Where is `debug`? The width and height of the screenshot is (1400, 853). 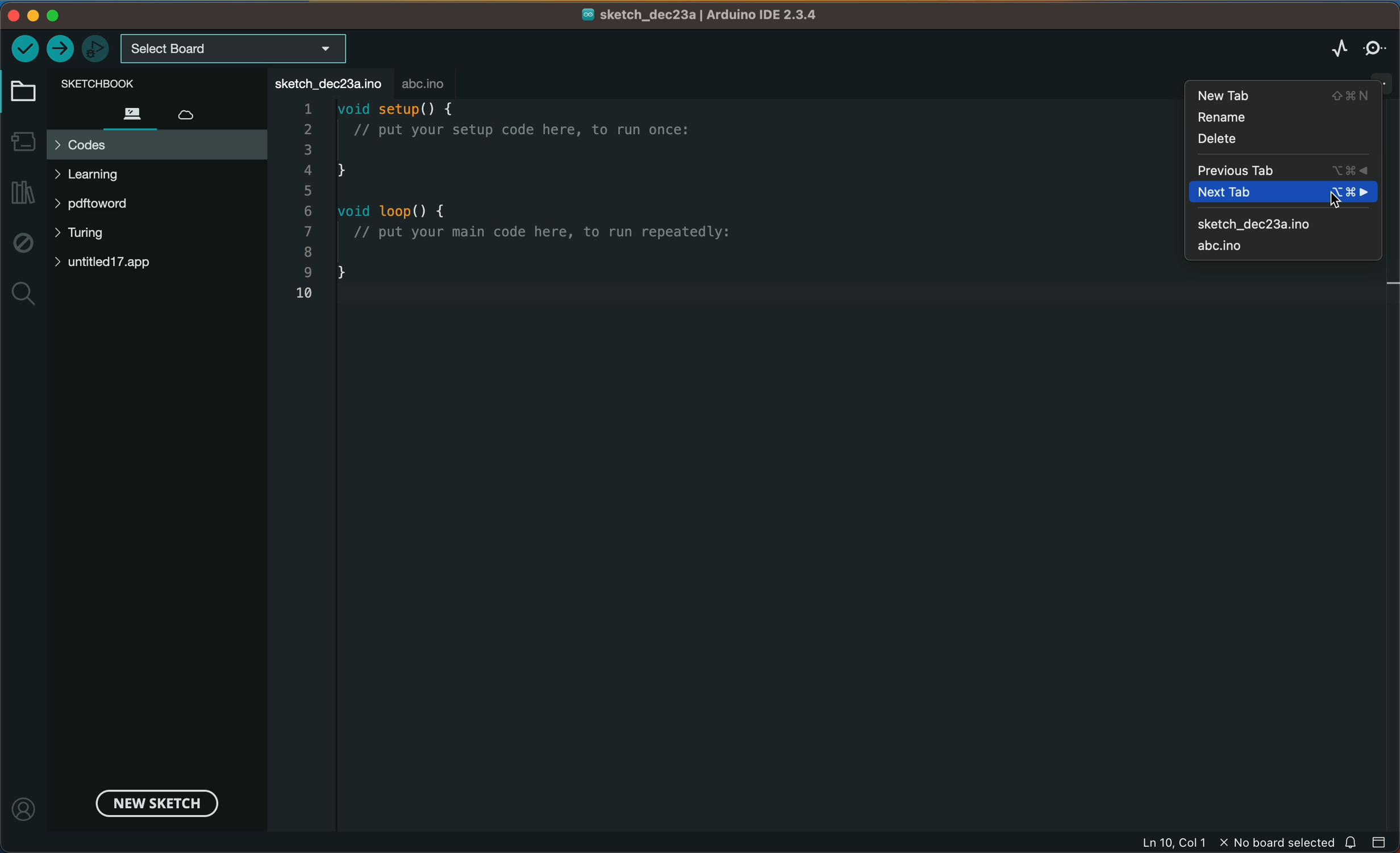 debug is located at coordinates (26, 243).